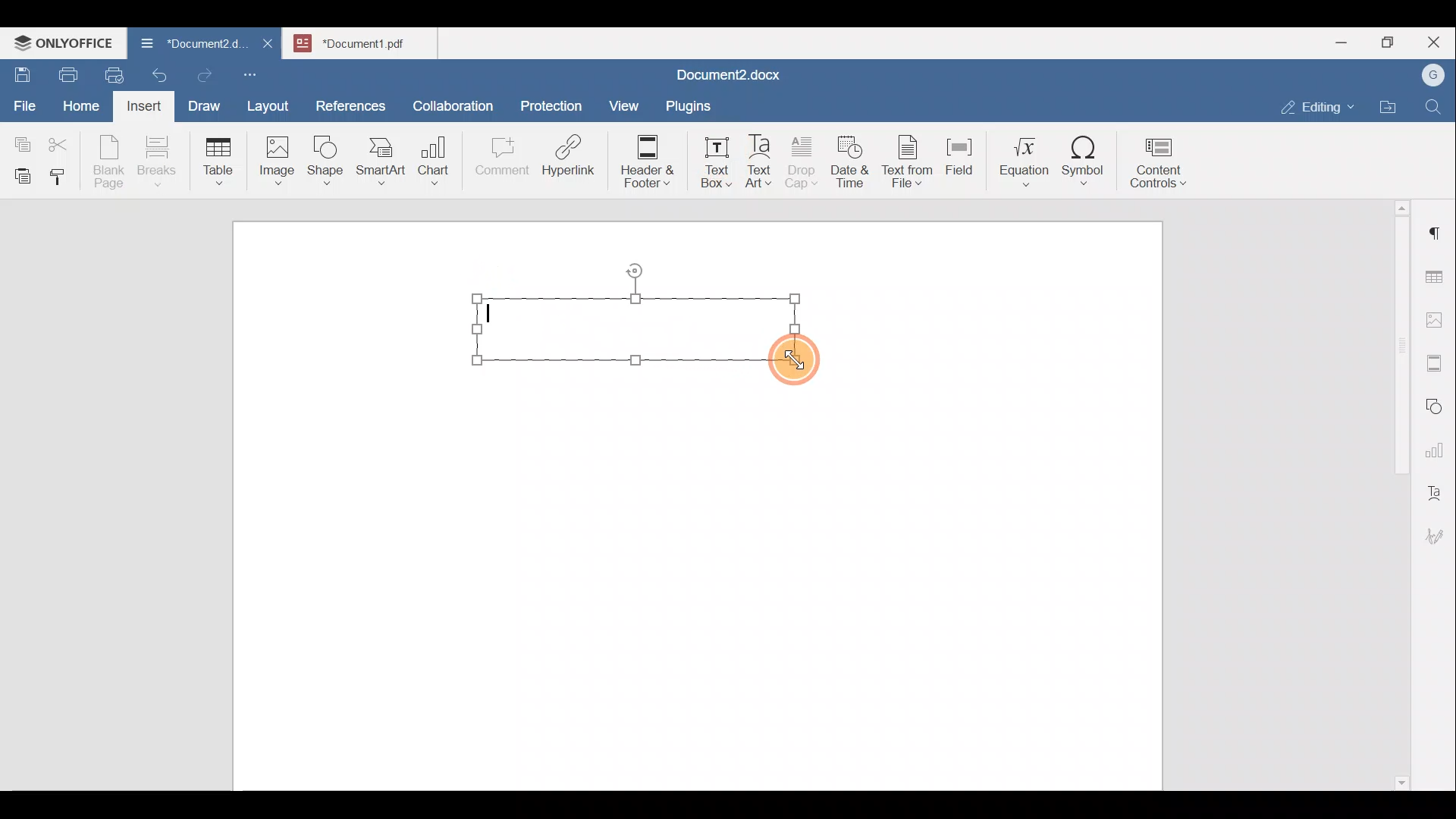 This screenshot has height=819, width=1456. Describe the element at coordinates (1396, 492) in the screenshot. I see `Scroll bar` at that location.